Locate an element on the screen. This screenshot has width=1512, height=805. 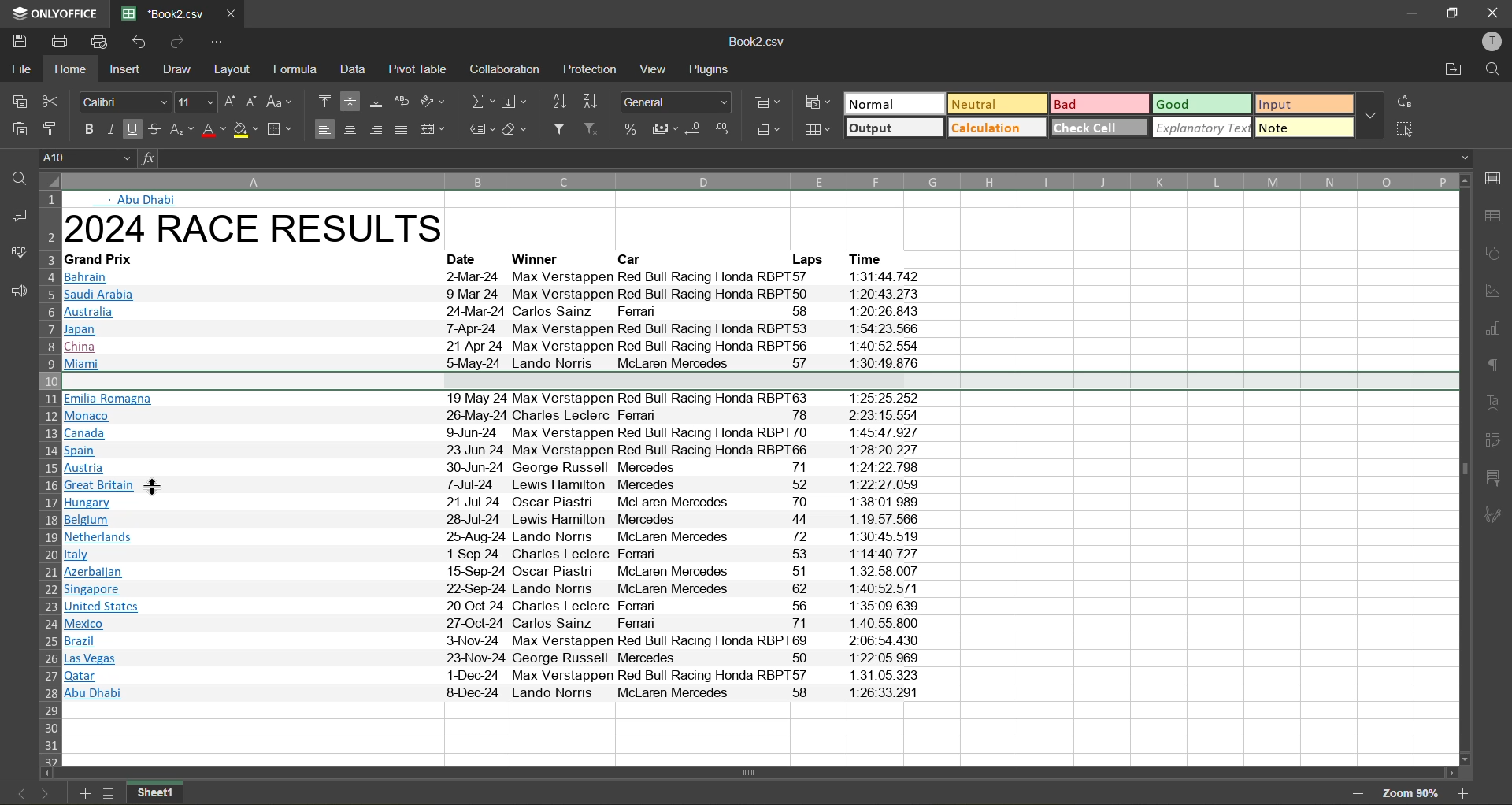
ll Mexico 27-Oct-24 Carlos Sainz Ferran 71 1:40:55.800 is located at coordinates (499, 625).